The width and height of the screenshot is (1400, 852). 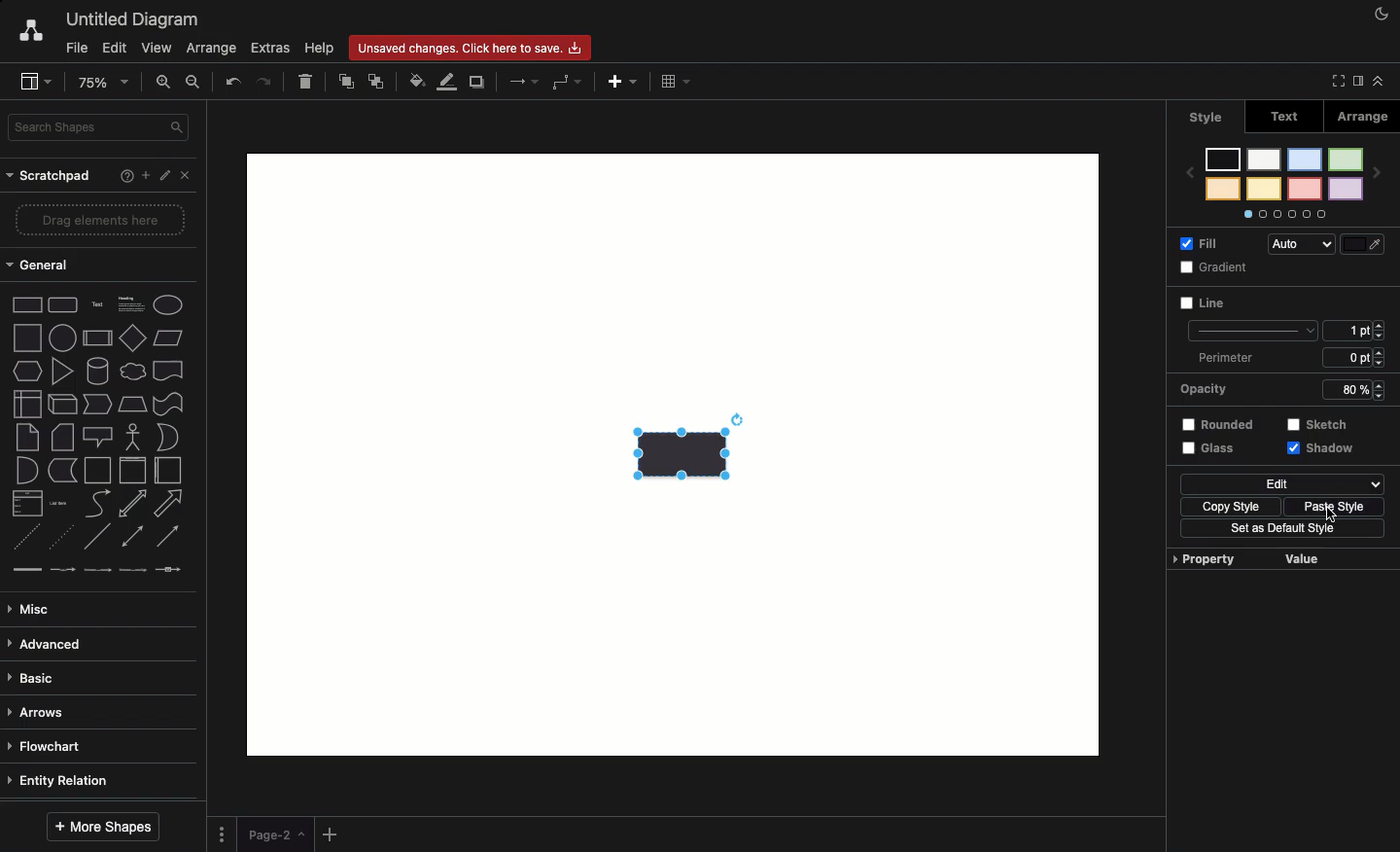 I want to click on Edit, so click(x=162, y=175).